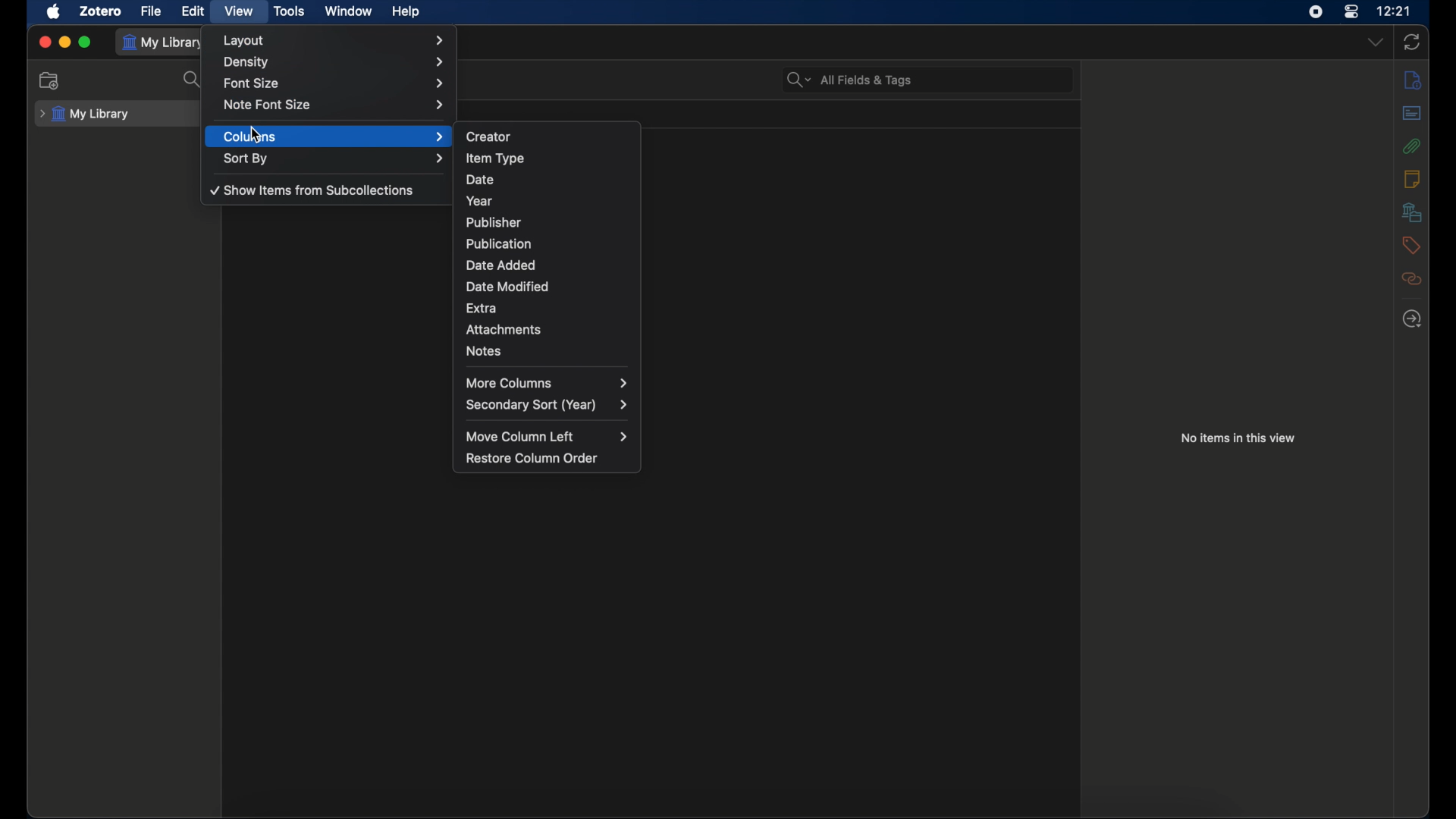  I want to click on maximize, so click(86, 42).